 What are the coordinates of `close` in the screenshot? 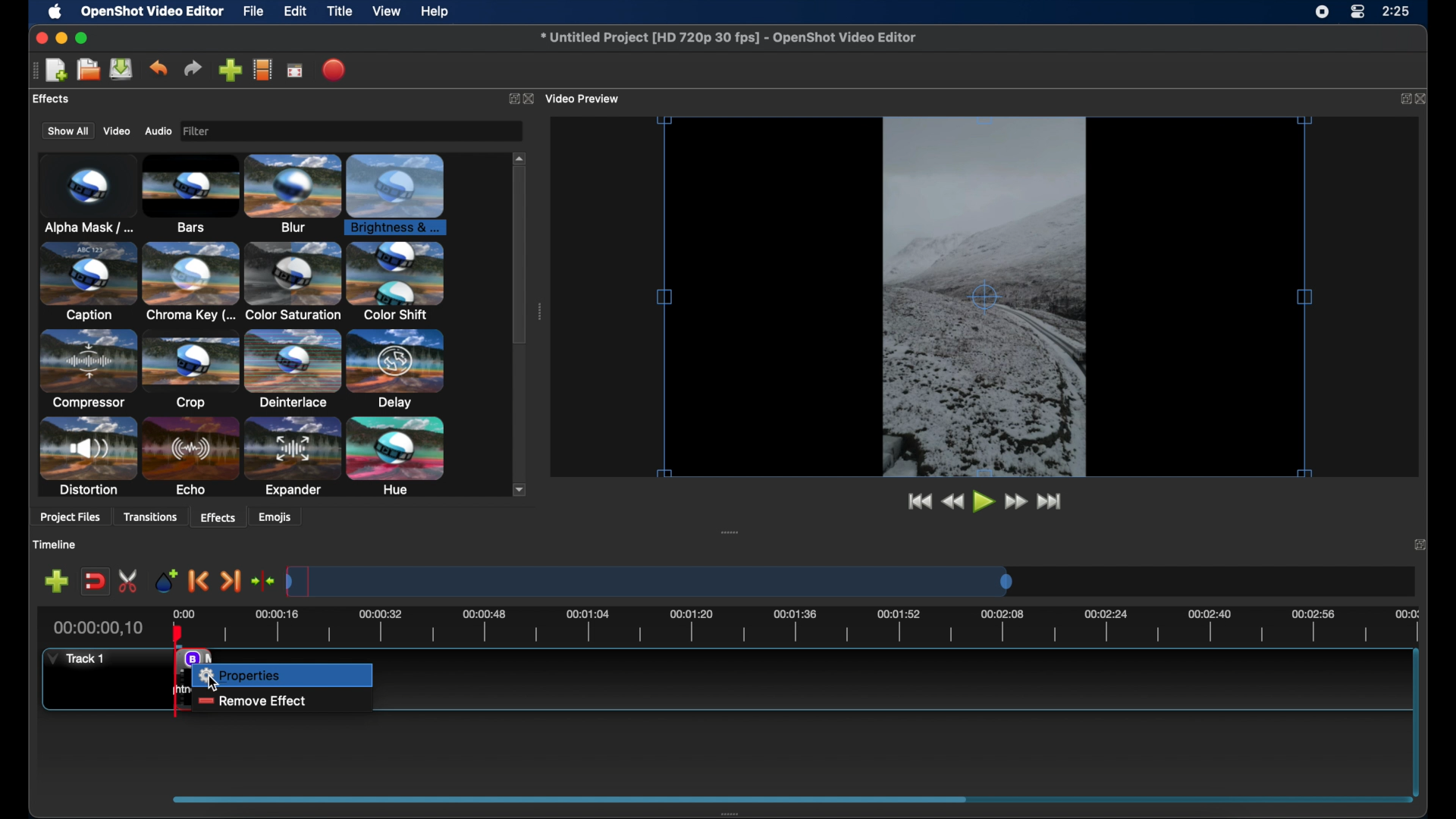 It's located at (529, 99).